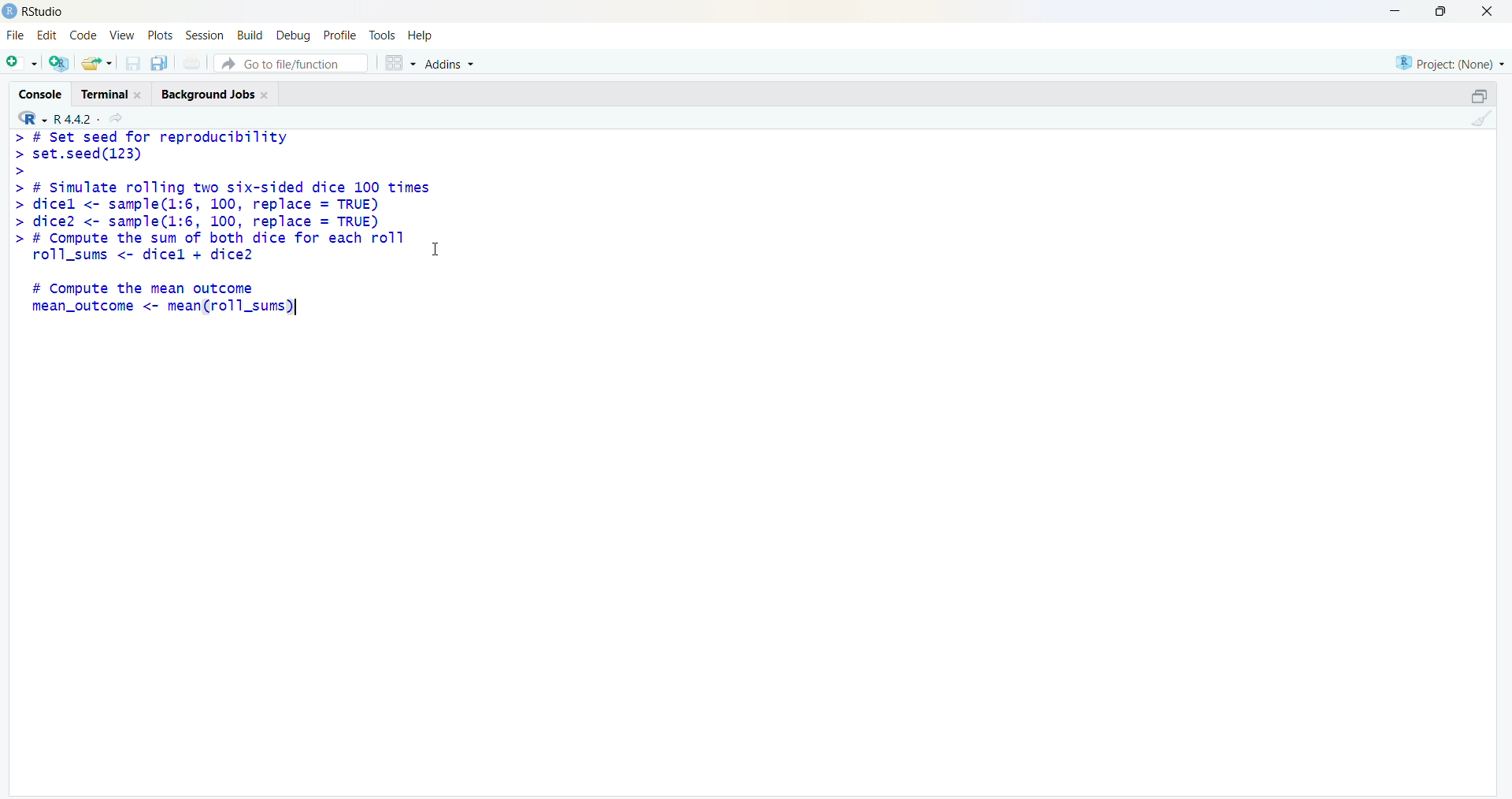 The image size is (1512, 799). Describe the element at coordinates (16, 35) in the screenshot. I see `file` at that location.